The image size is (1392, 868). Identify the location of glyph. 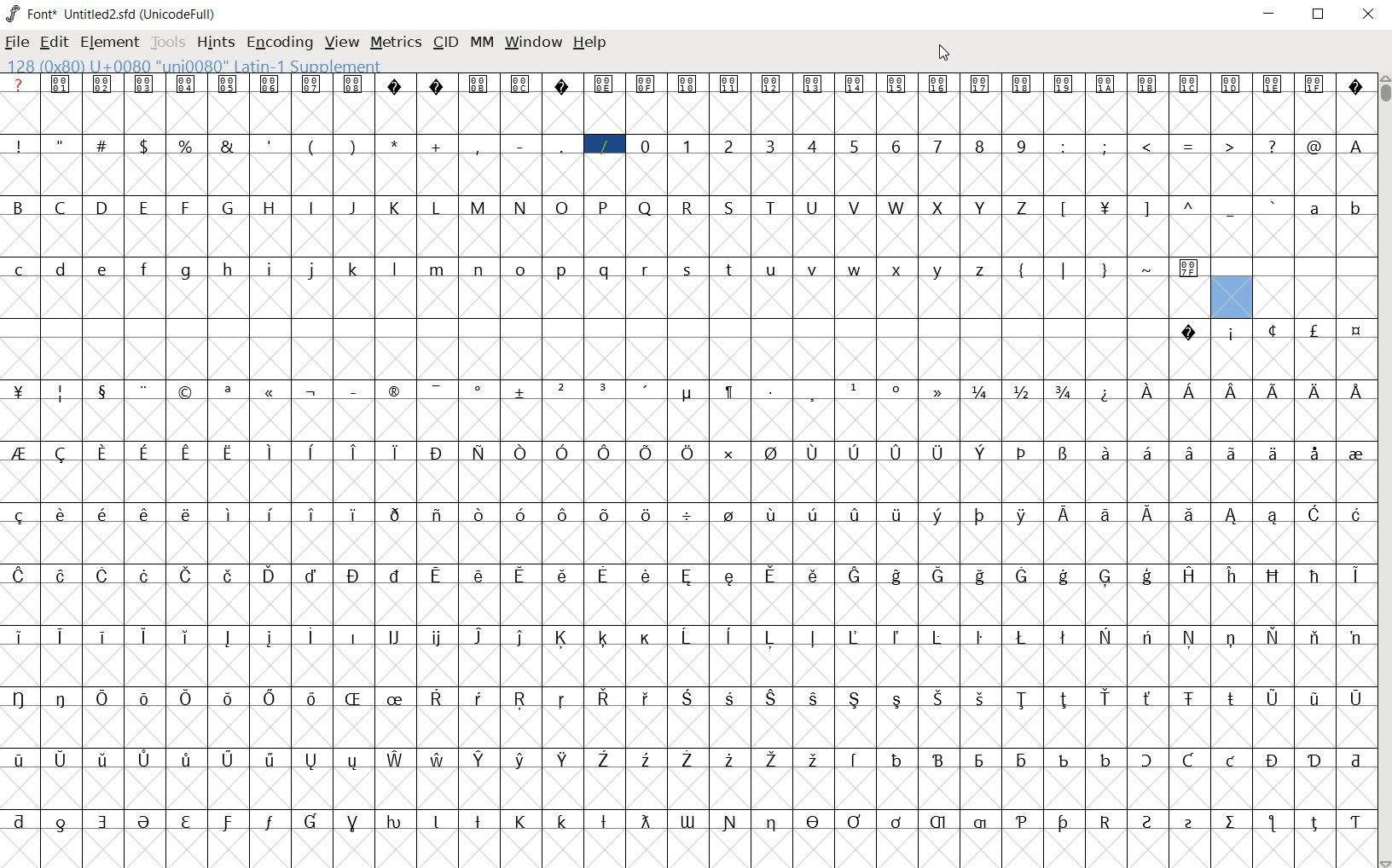
(814, 395).